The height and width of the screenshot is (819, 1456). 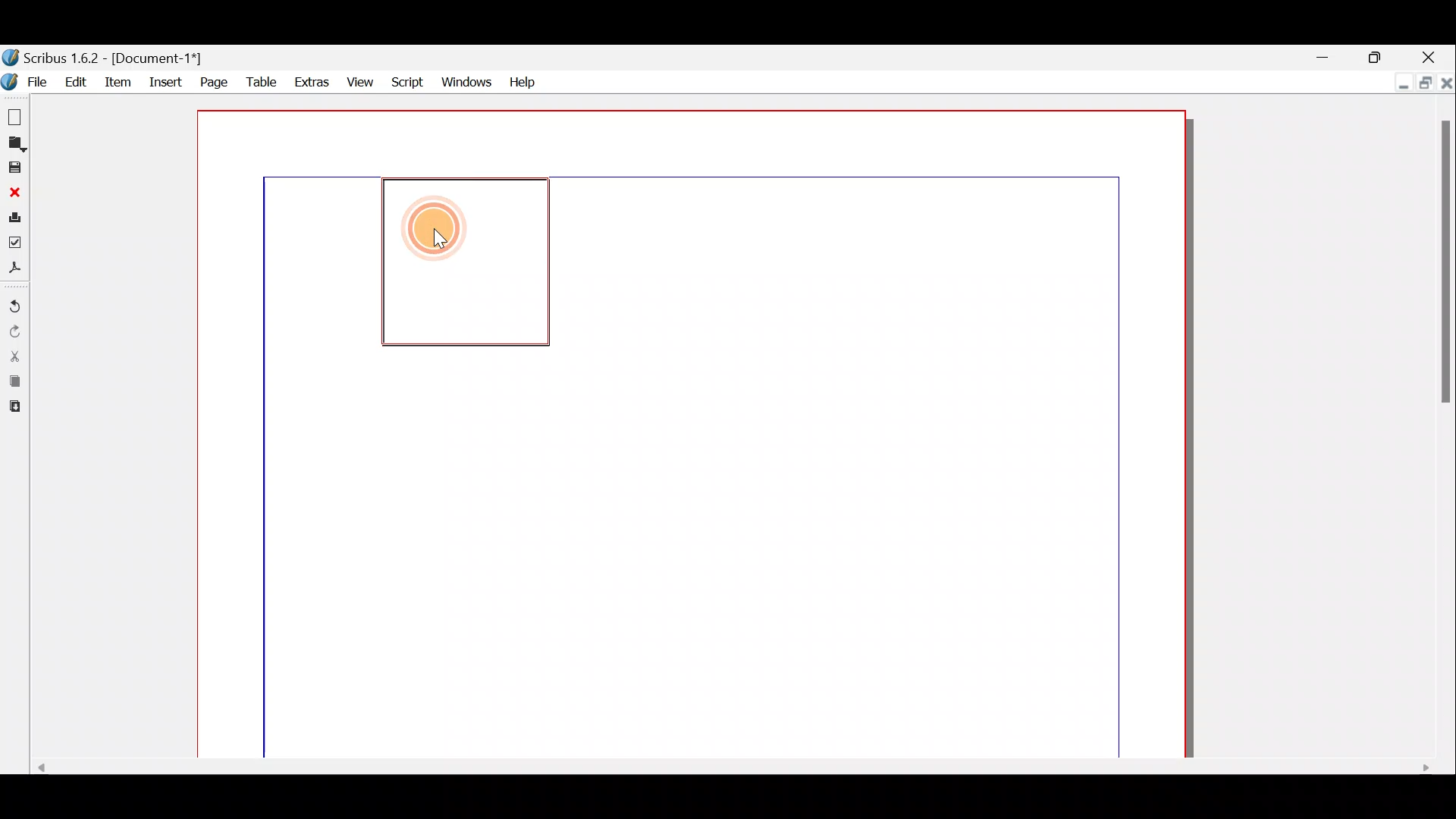 What do you see at coordinates (14, 220) in the screenshot?
I see `Print` at bounding box center [14, 220].